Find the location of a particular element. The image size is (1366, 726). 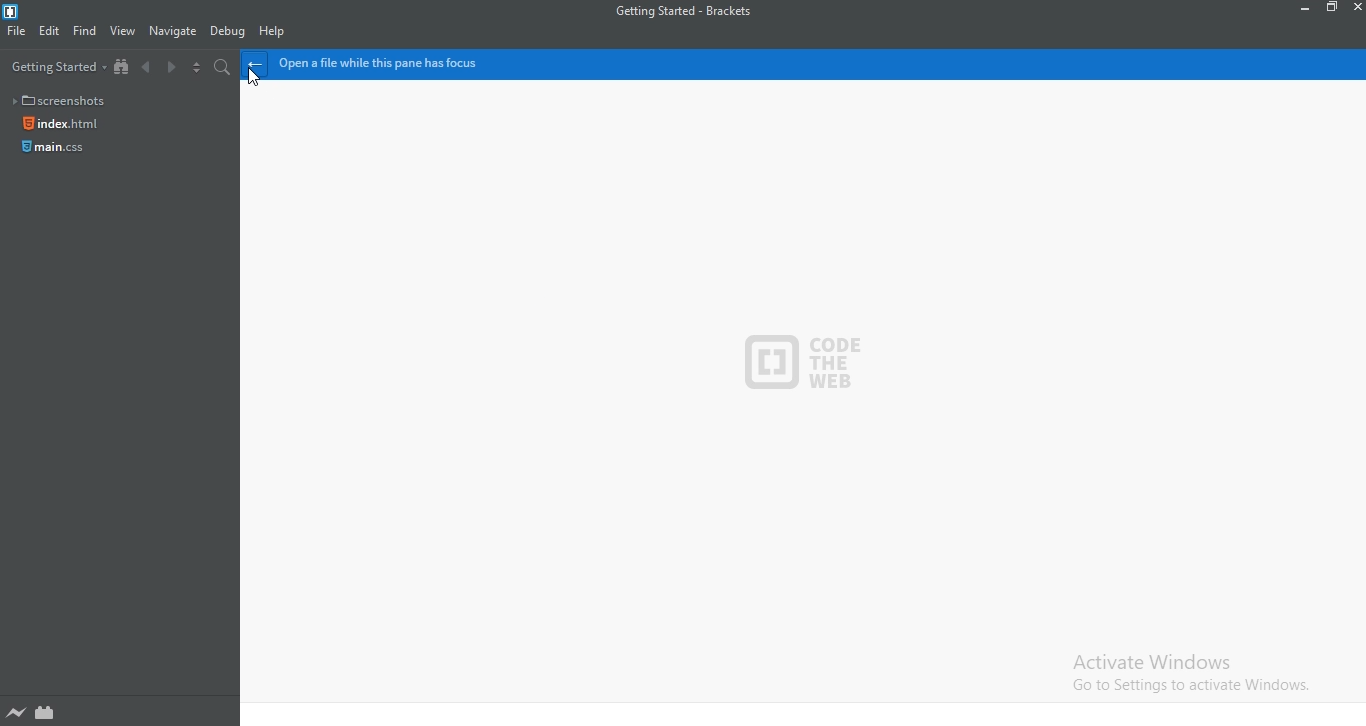

Find in files is located at coordinates (226, 68).